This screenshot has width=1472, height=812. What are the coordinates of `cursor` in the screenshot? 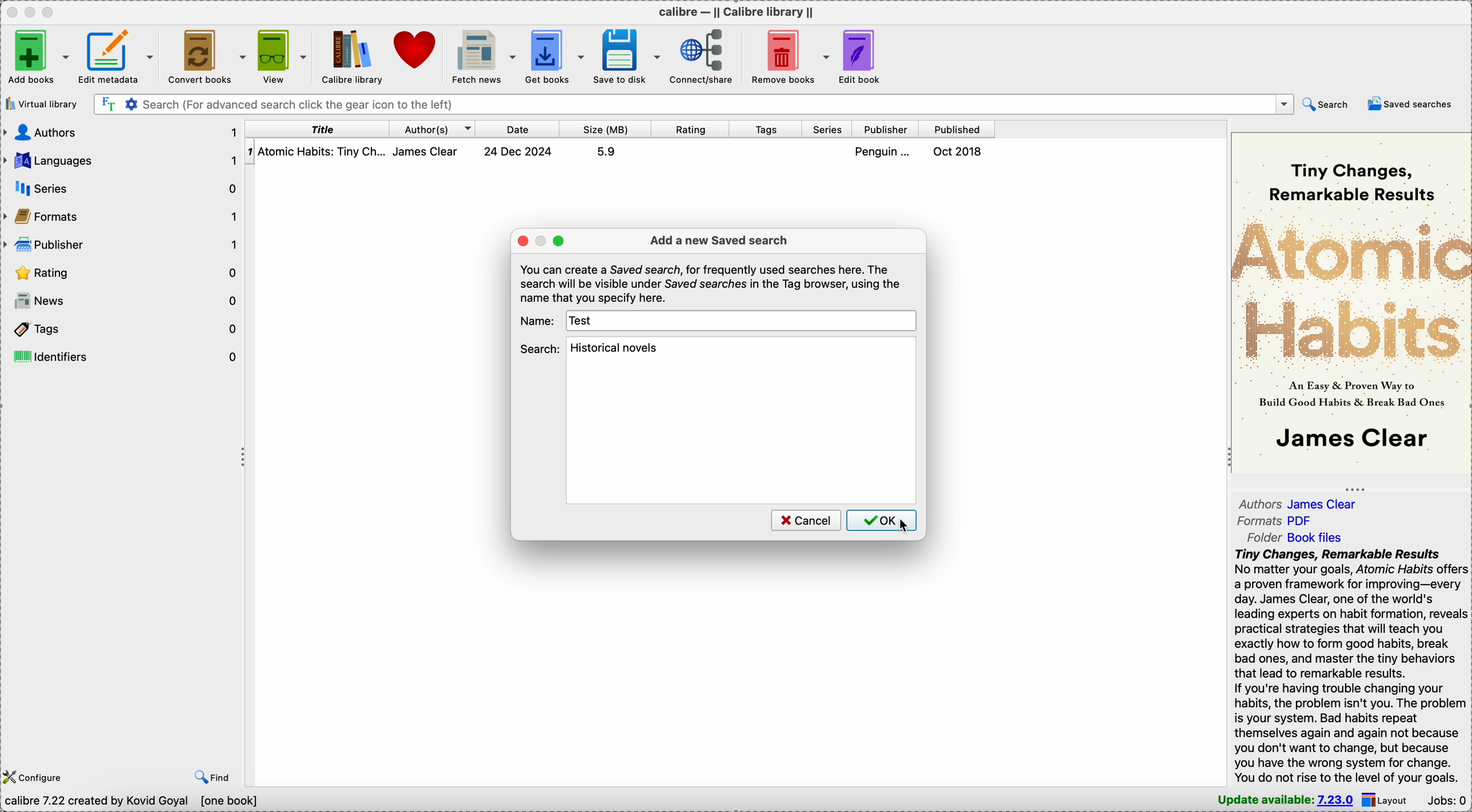 It's located at (905, 526).